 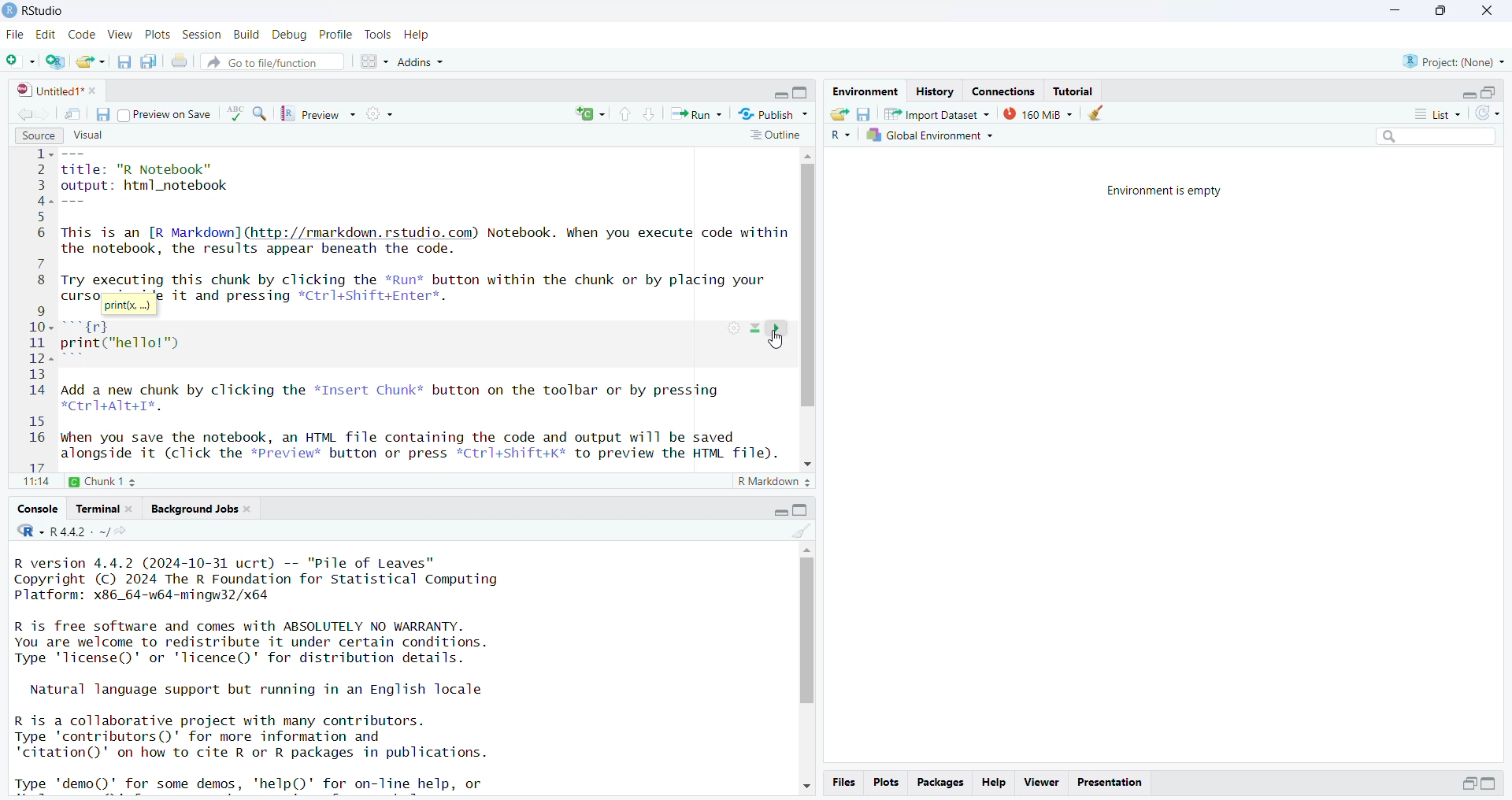 What do you see at coordinates (1484, 10) in the screenshot?
I see `close` at bounding box center [1484, 10].